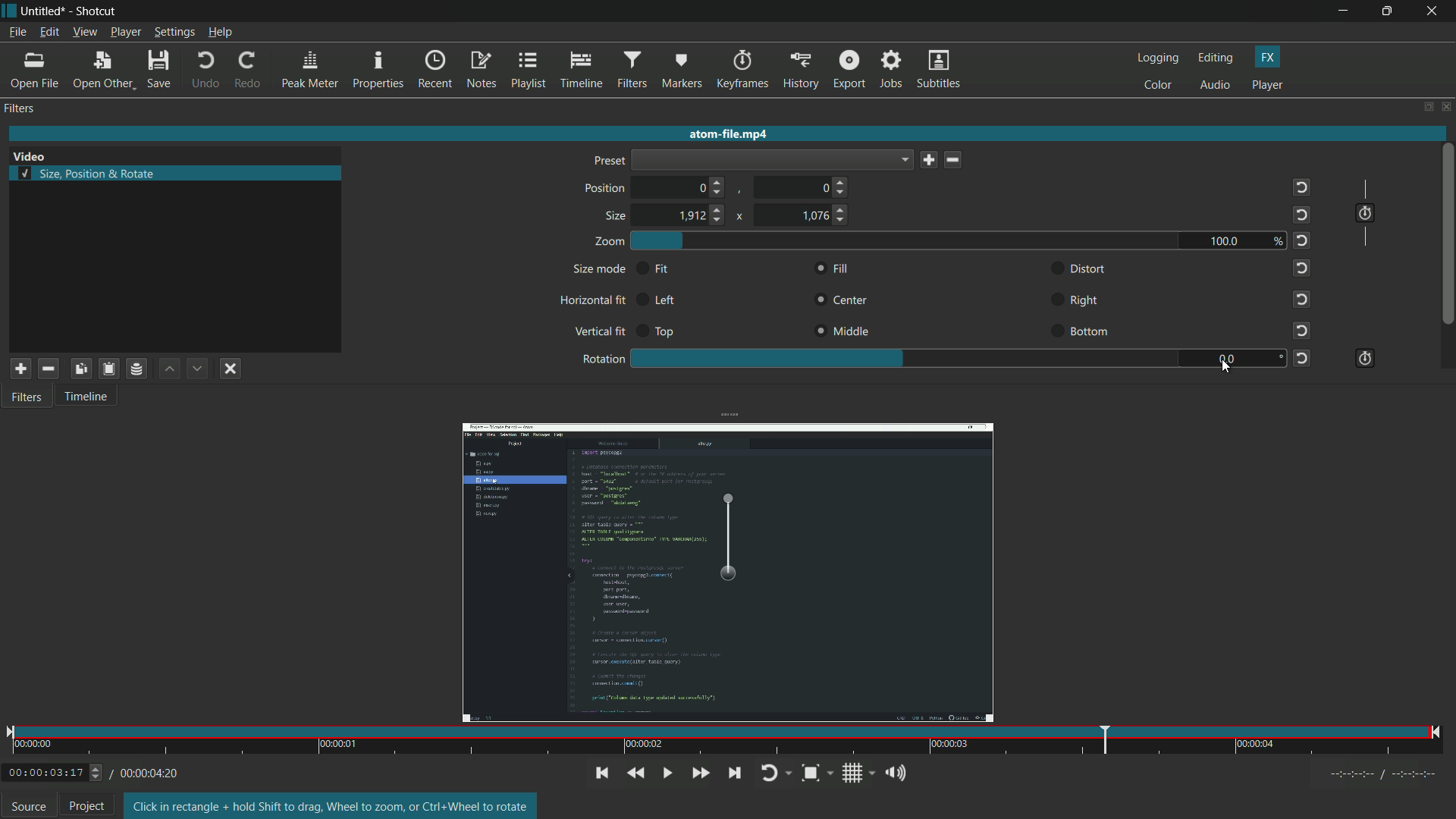  What do you see at coordinates (659, 270) in the screenshot?
I see `fit` at bounding box center [659, 270].